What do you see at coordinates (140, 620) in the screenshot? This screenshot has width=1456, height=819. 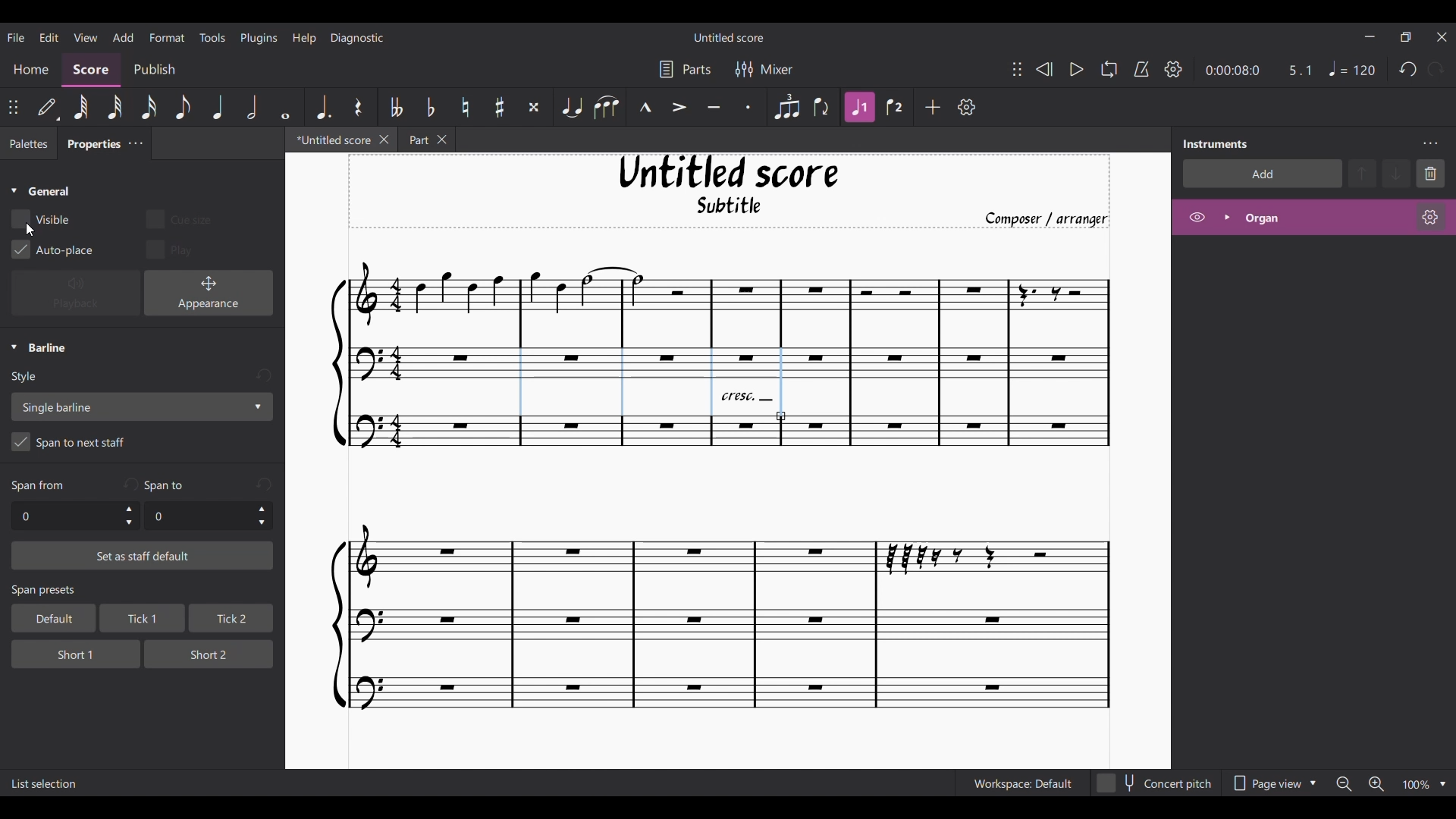 I see `tick 1` at bounding box center [140, 620].